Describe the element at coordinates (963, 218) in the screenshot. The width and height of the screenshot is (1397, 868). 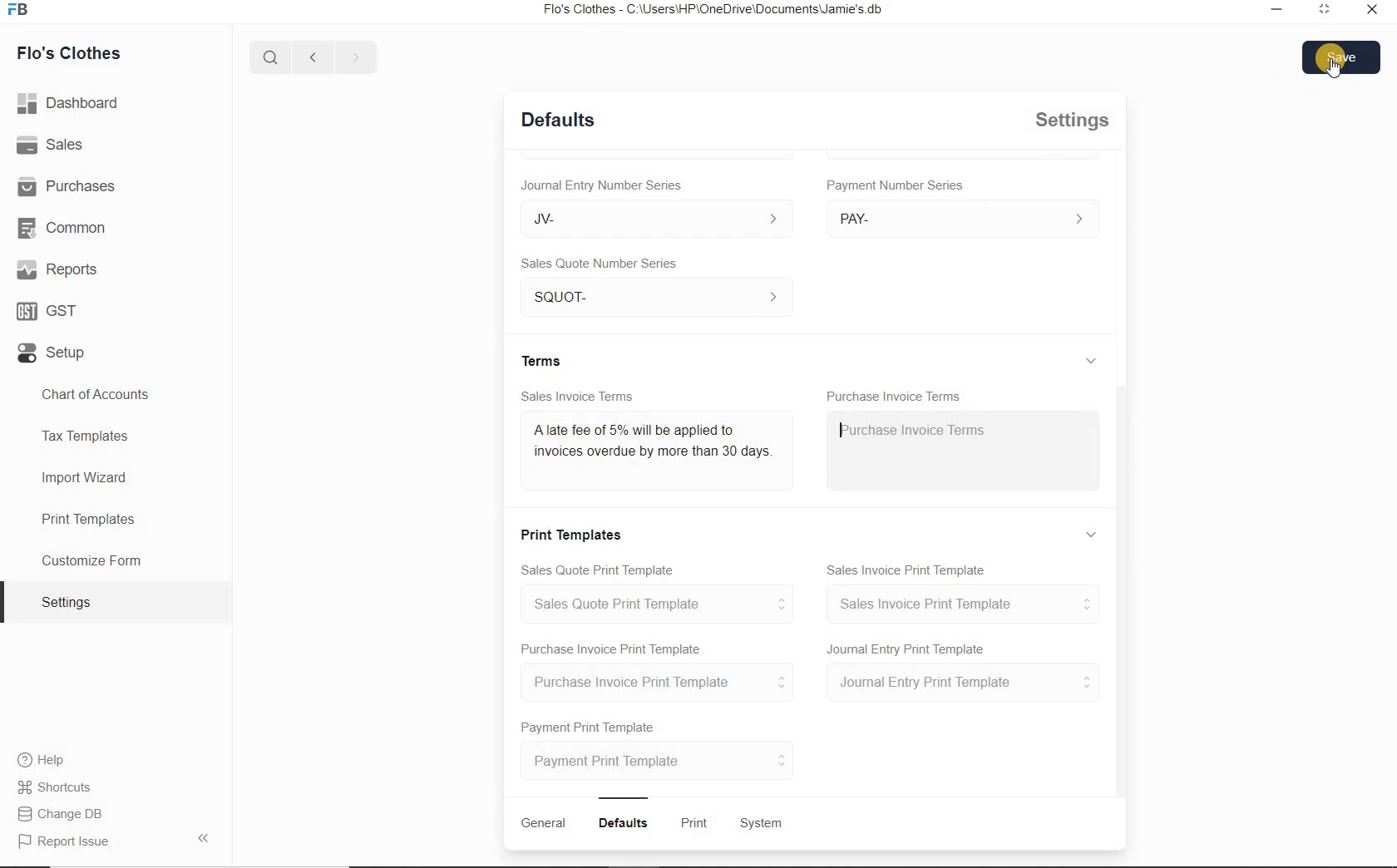
I see `PAY` at that location.